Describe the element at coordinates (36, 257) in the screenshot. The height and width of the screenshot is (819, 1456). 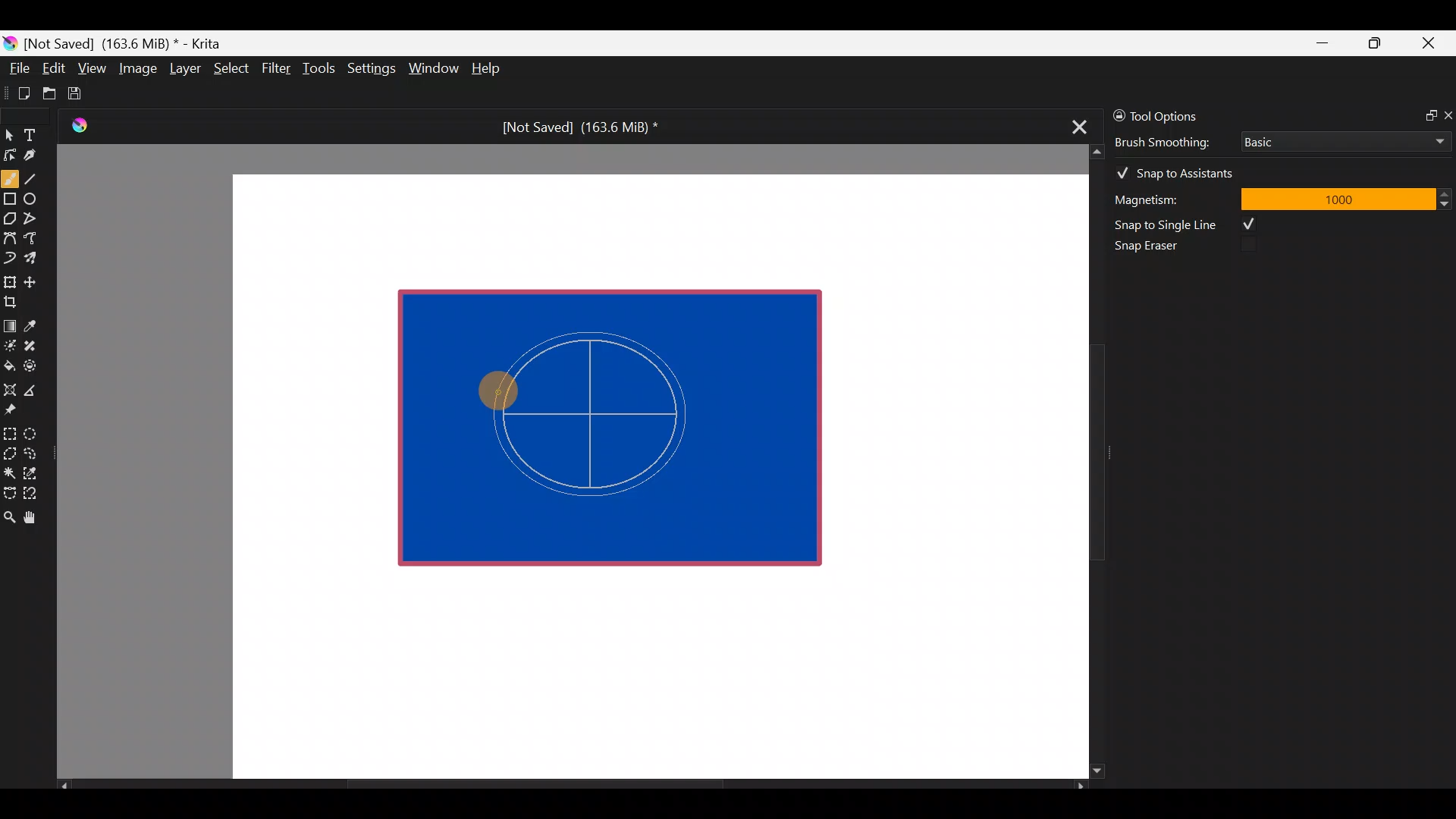
I see `Multibrush tool` at that location.